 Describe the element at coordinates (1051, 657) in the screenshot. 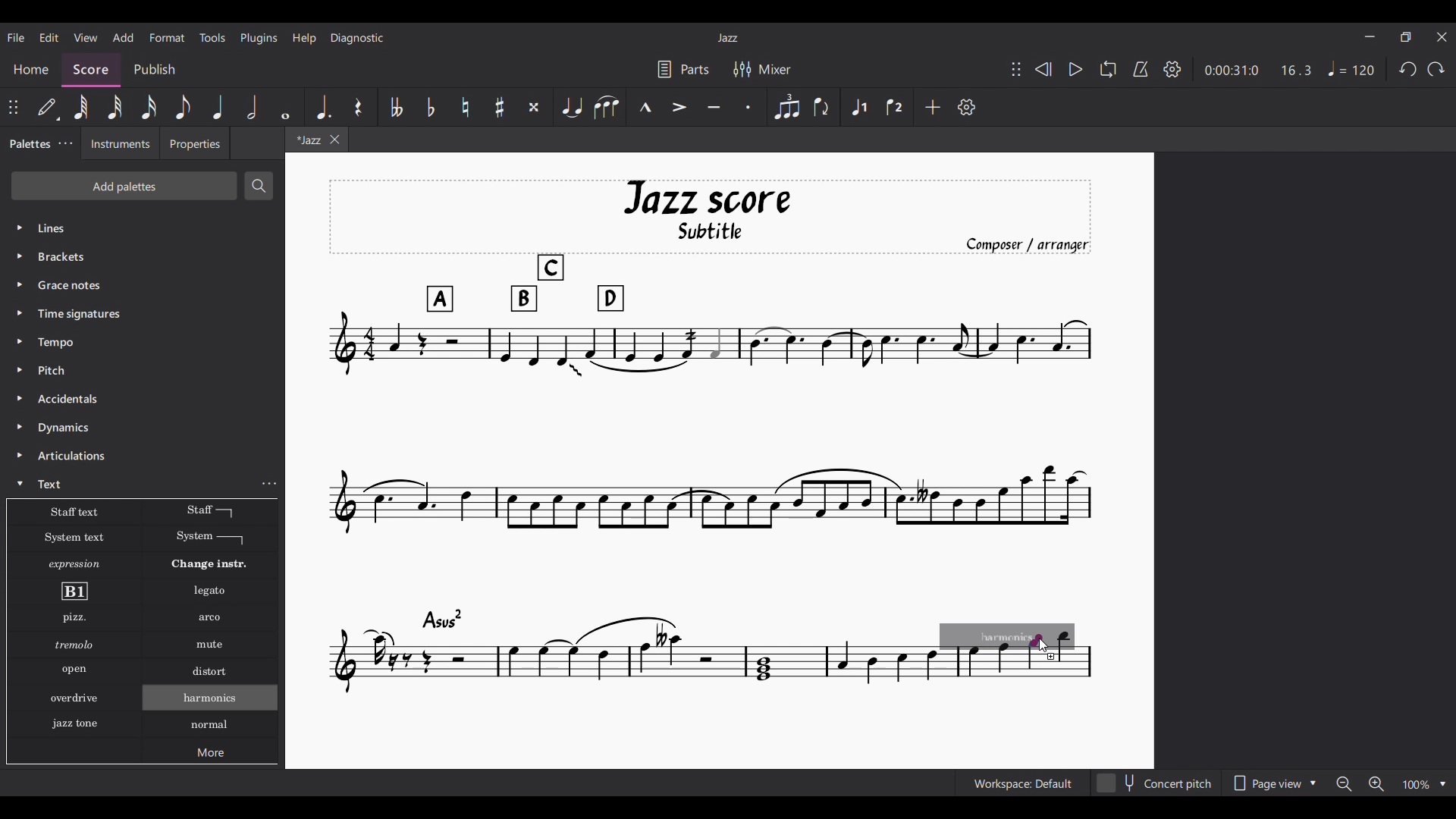

I see `Indicates addition` at that location.